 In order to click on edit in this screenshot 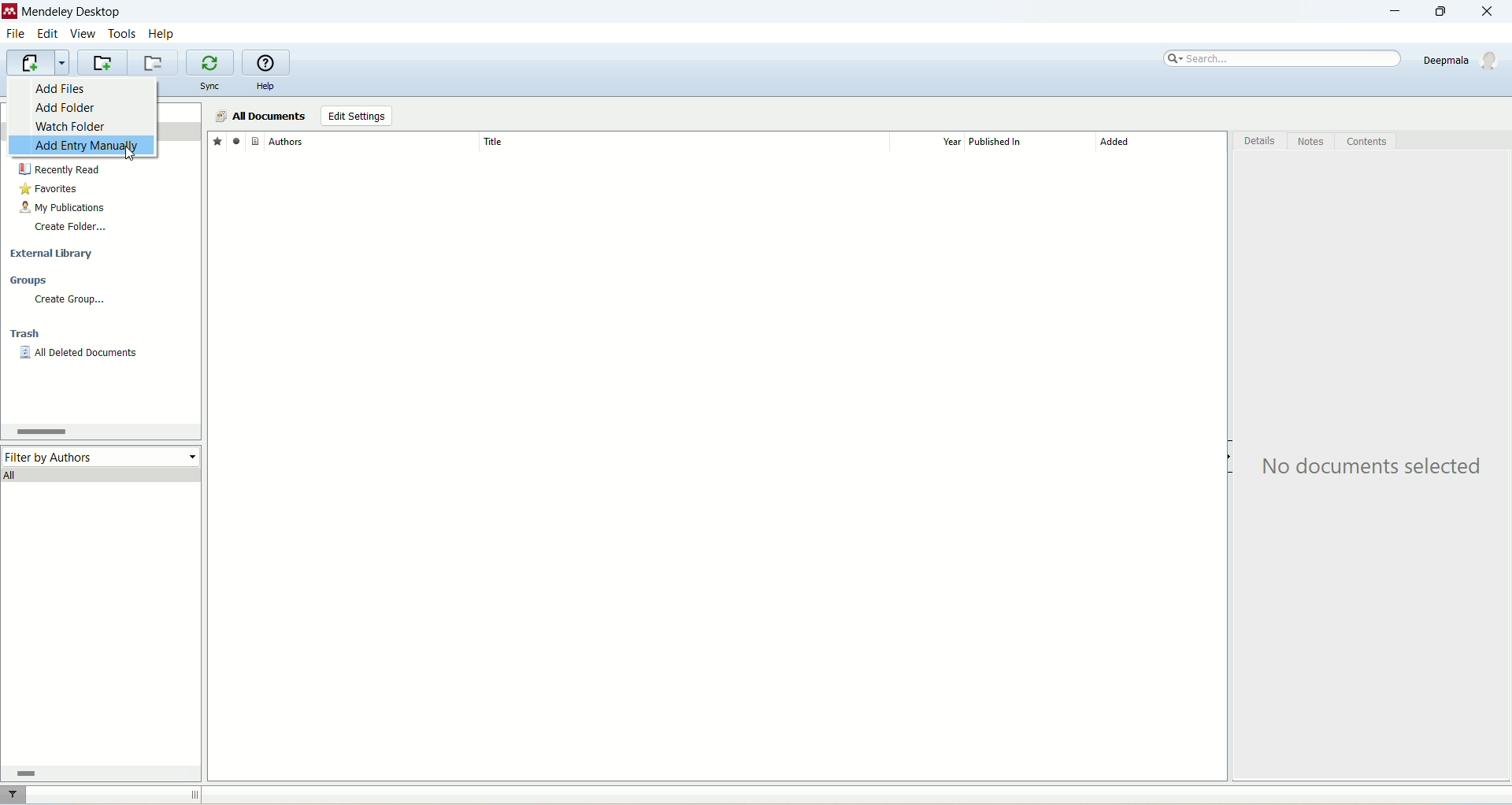, I will do `click(46, 34)`.